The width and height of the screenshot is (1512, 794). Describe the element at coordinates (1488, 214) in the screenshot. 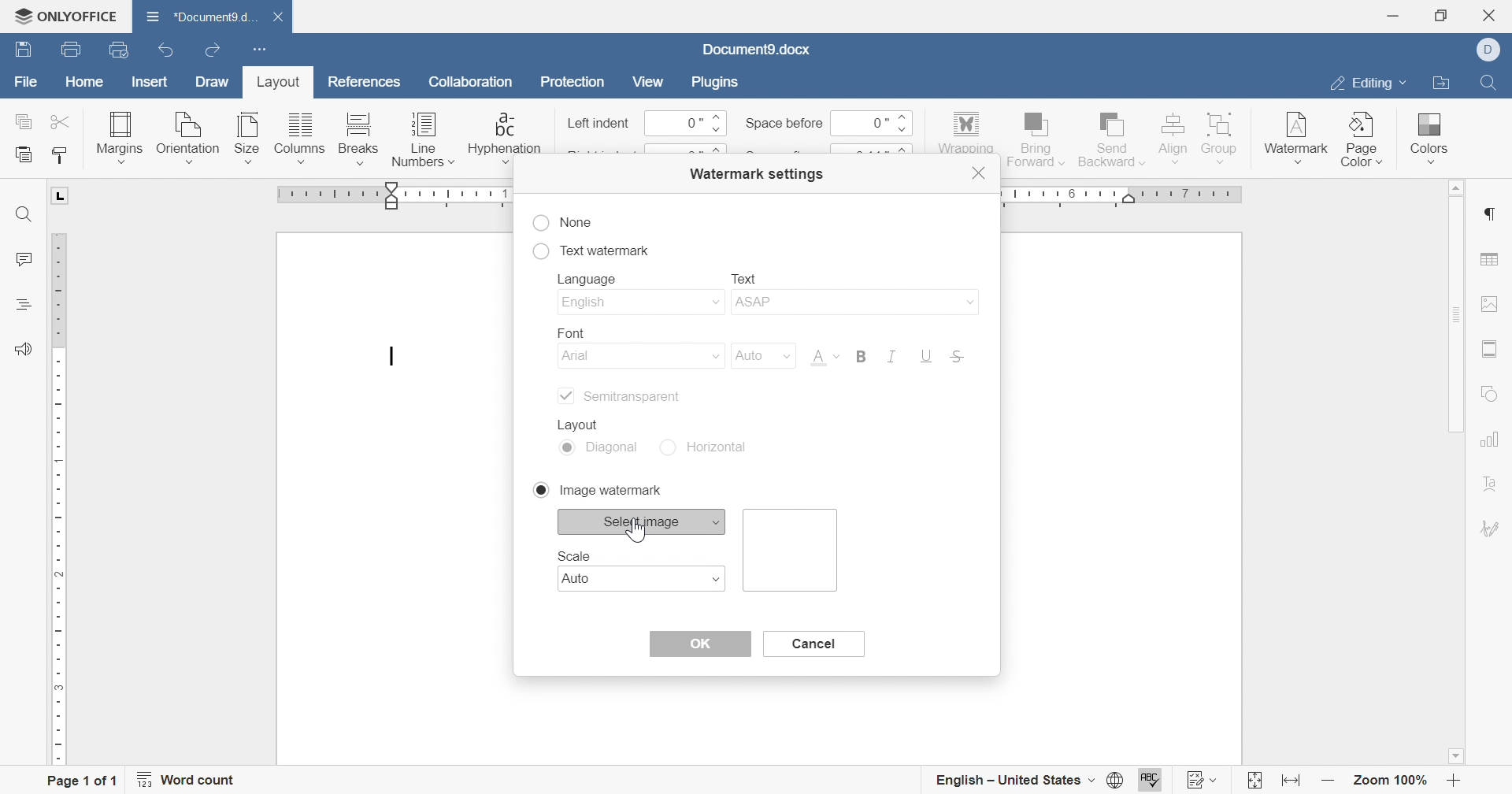

I see `paragraph settings` at that location.